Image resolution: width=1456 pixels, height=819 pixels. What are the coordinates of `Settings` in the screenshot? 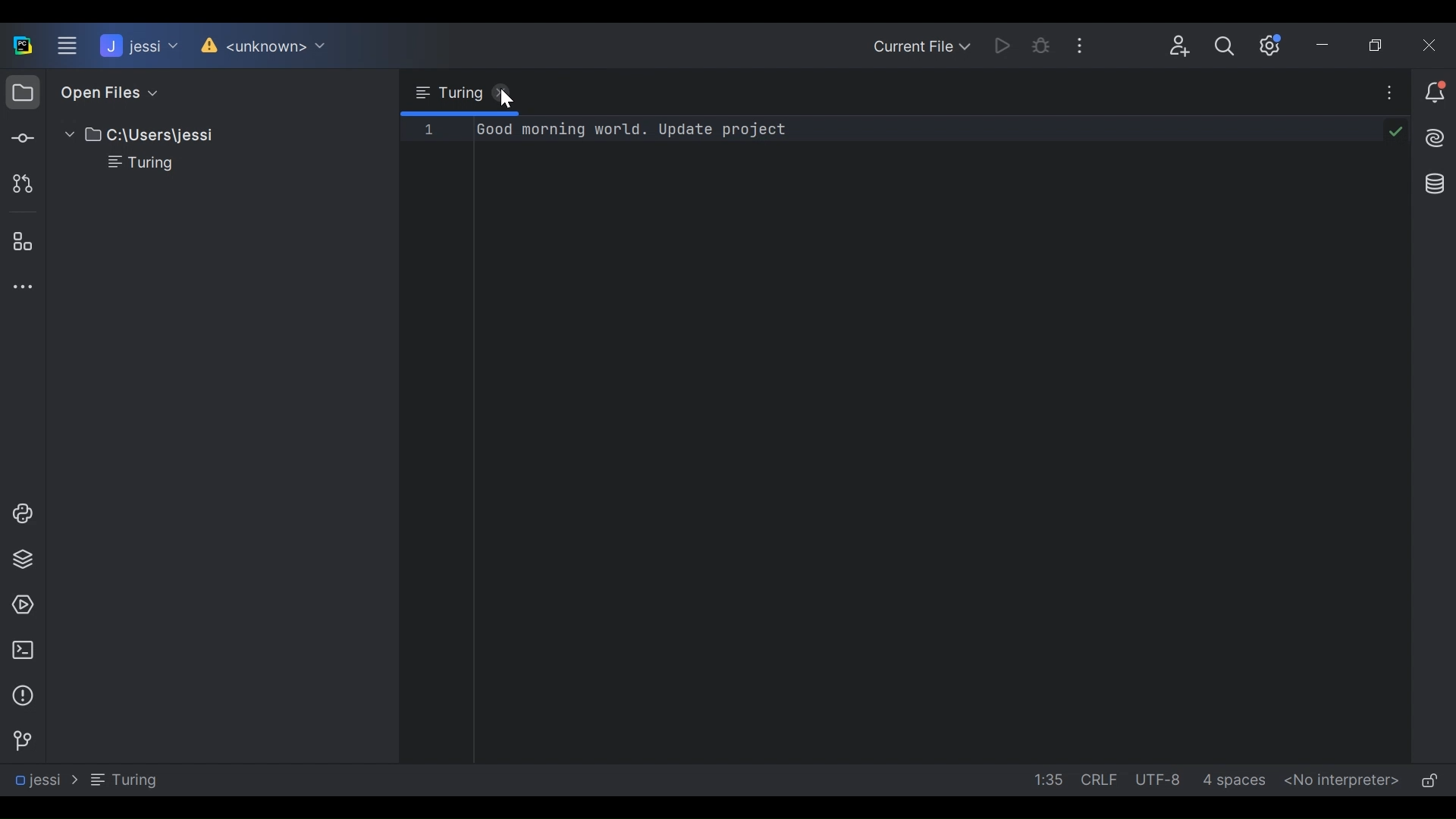 It's located at (1275, 45).